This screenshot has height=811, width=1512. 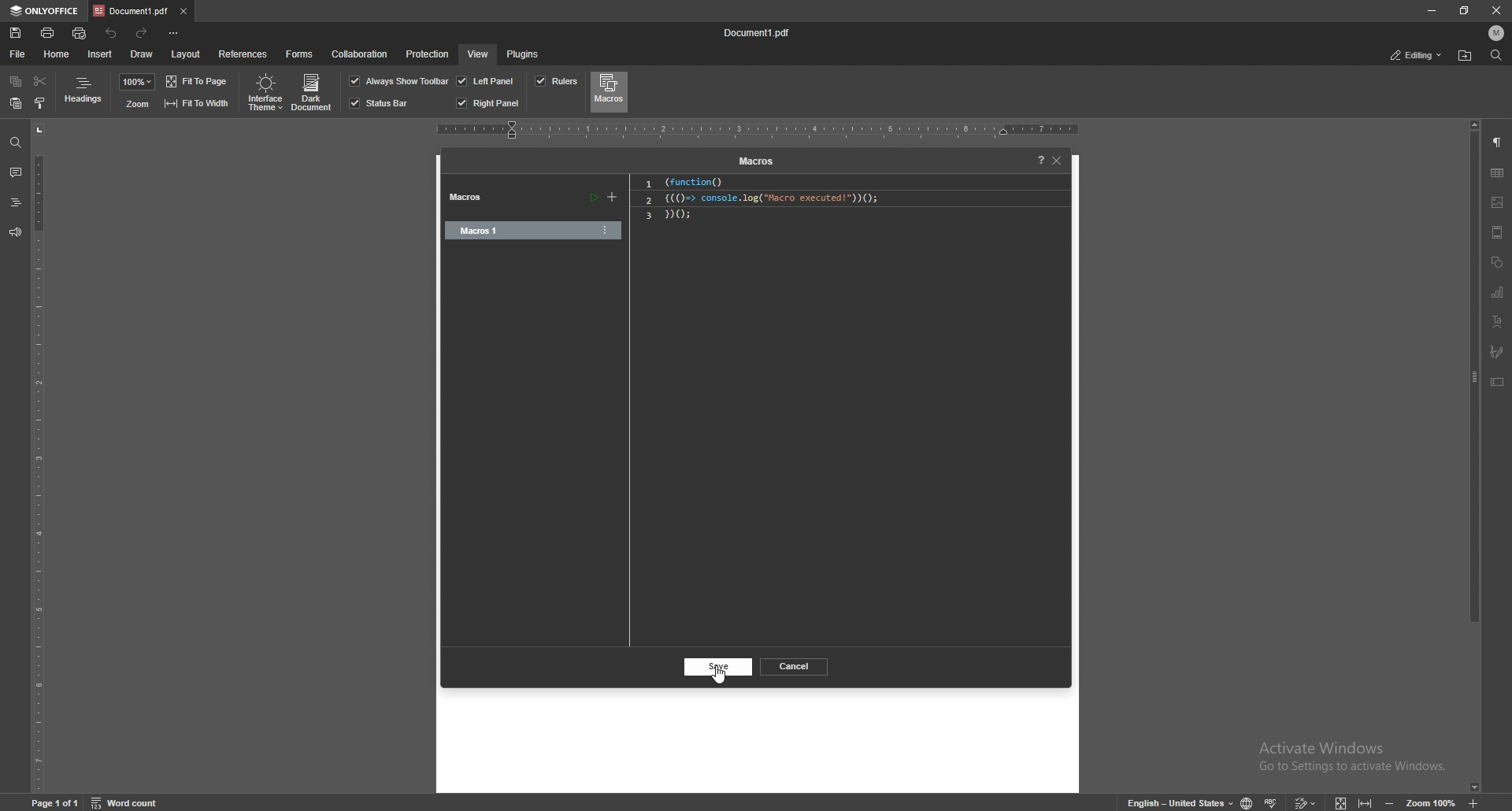 What do you see at coordinates (1497, 292) in the screenshot?
I see `chart` at bounding box center [1497, 292].